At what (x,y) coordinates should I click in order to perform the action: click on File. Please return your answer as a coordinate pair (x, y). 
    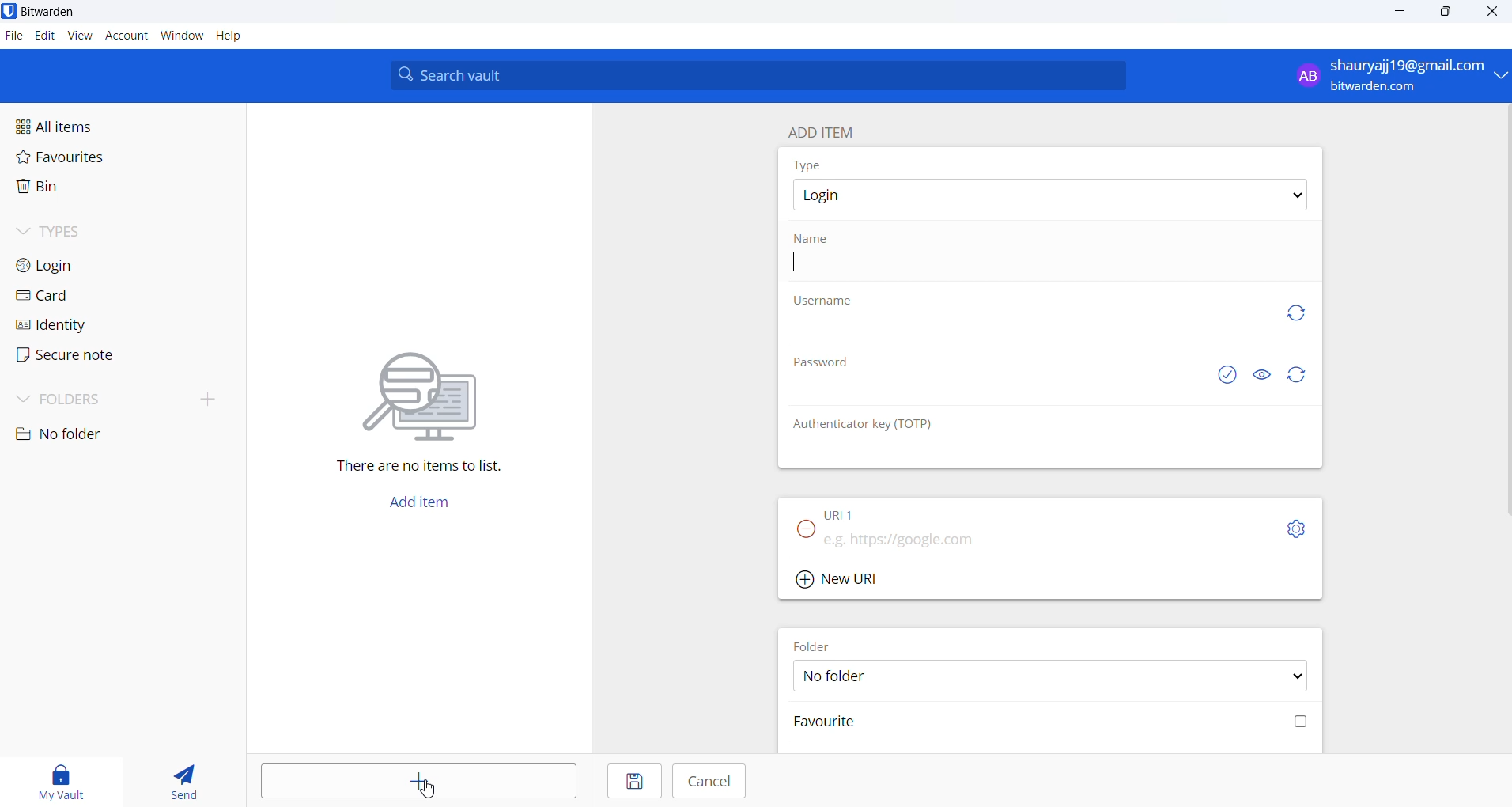
    Looking at the image, I should click on (13, 36).